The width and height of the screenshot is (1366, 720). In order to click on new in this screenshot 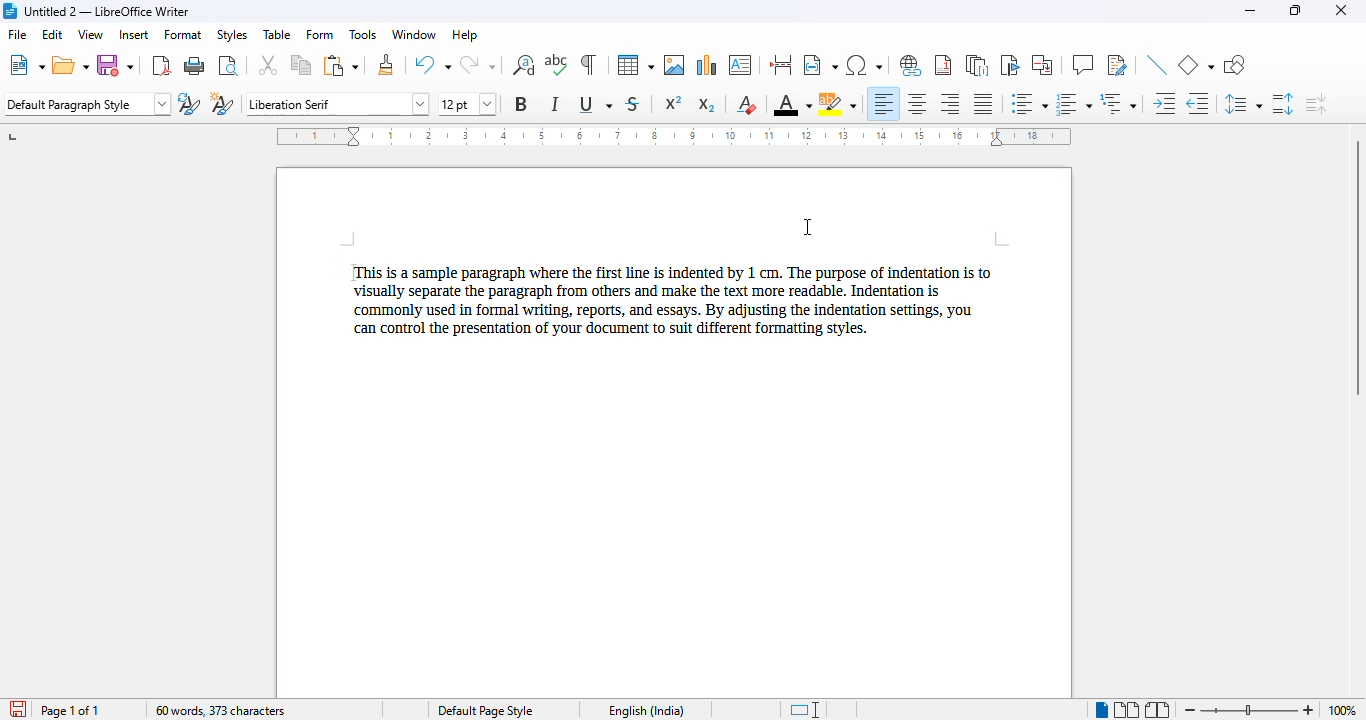, I will do `click(27, 65)`.